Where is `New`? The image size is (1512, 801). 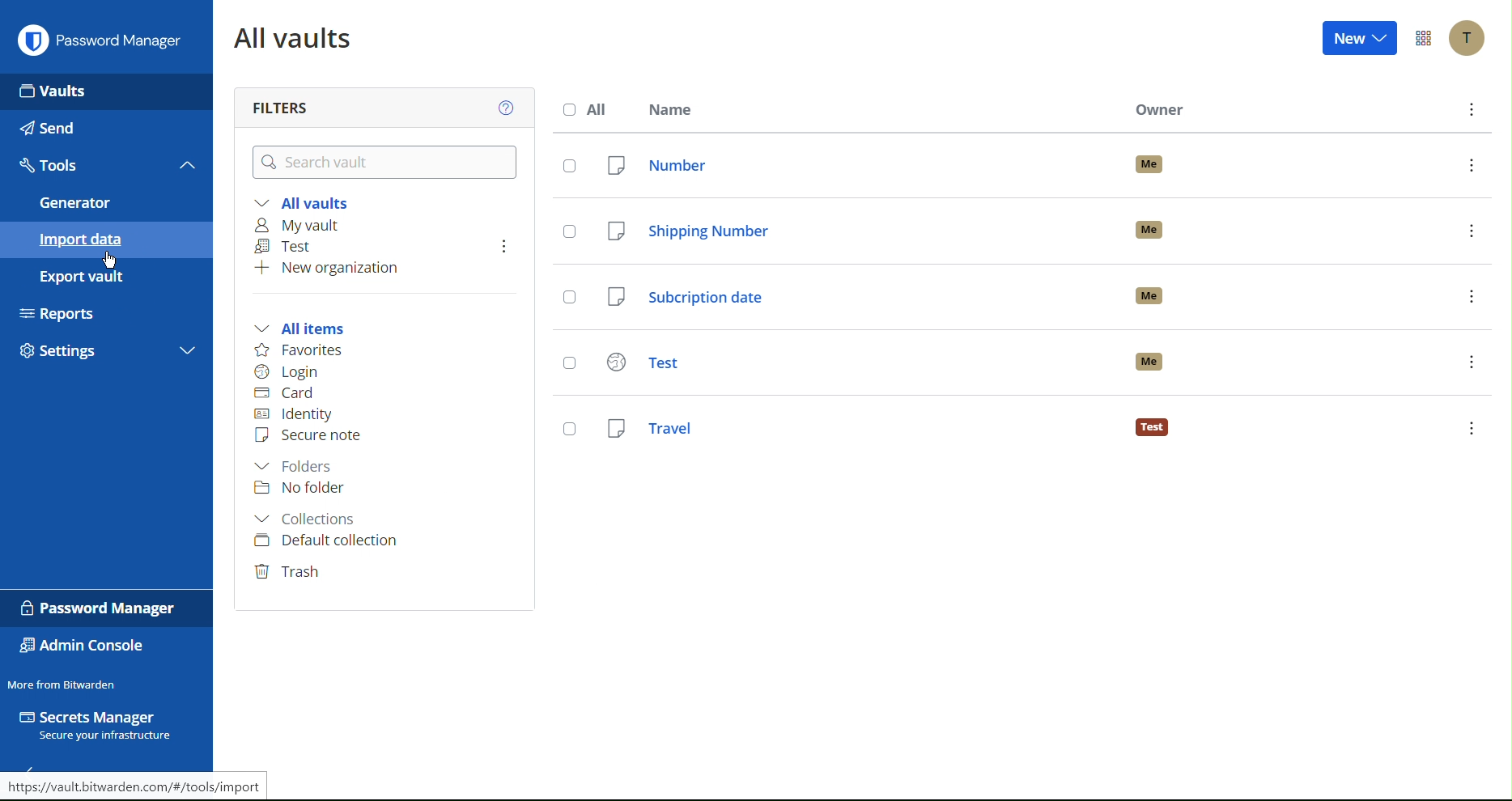 New is located at coordinates (1362, 37).